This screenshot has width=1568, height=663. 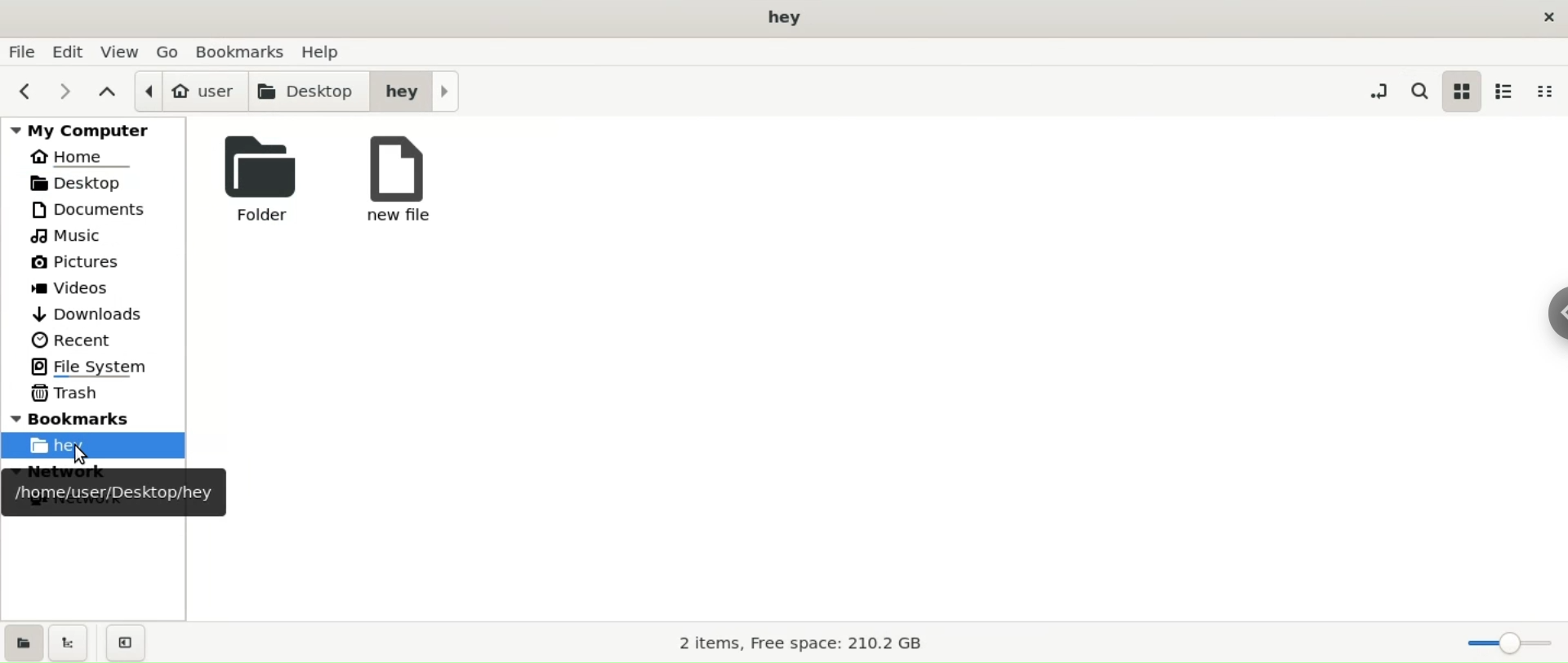 I want to click on hey, so click(x=786, y=18).